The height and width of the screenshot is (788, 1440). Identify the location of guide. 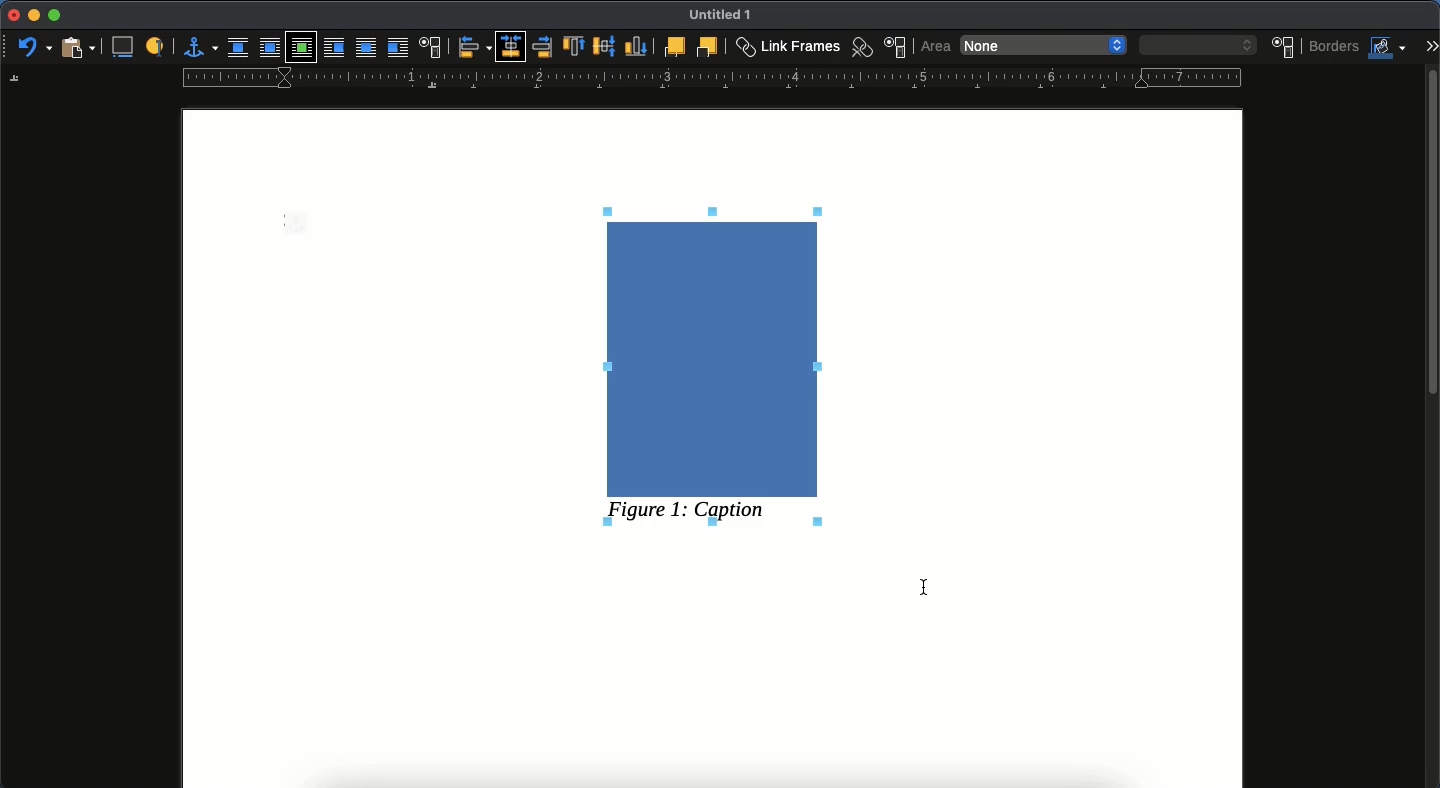
(713, 78).